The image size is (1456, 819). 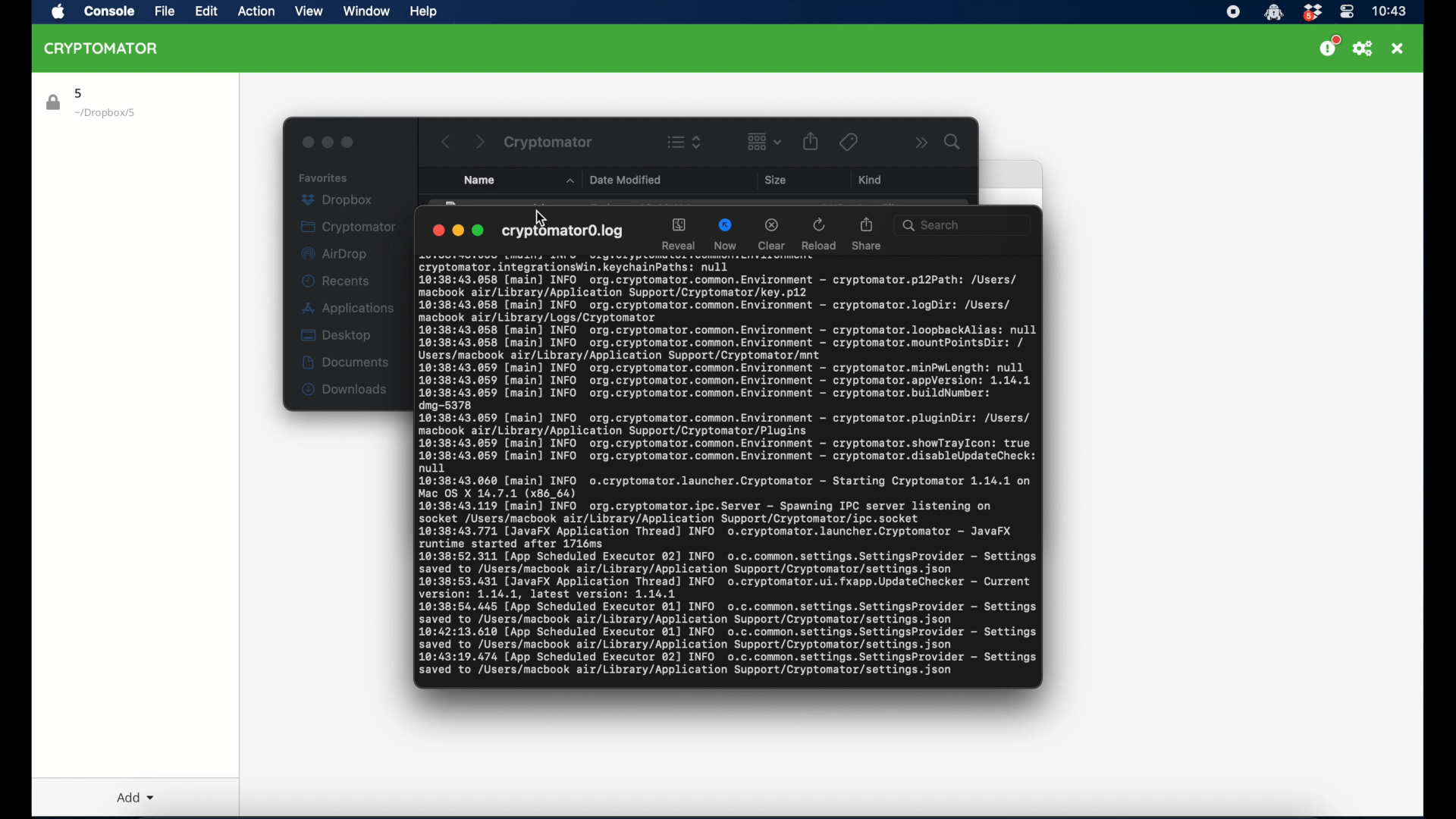 What do you see at coordinates (328, 143) in the screenshot?
I see `minimize` at bounding box center [328, 143].